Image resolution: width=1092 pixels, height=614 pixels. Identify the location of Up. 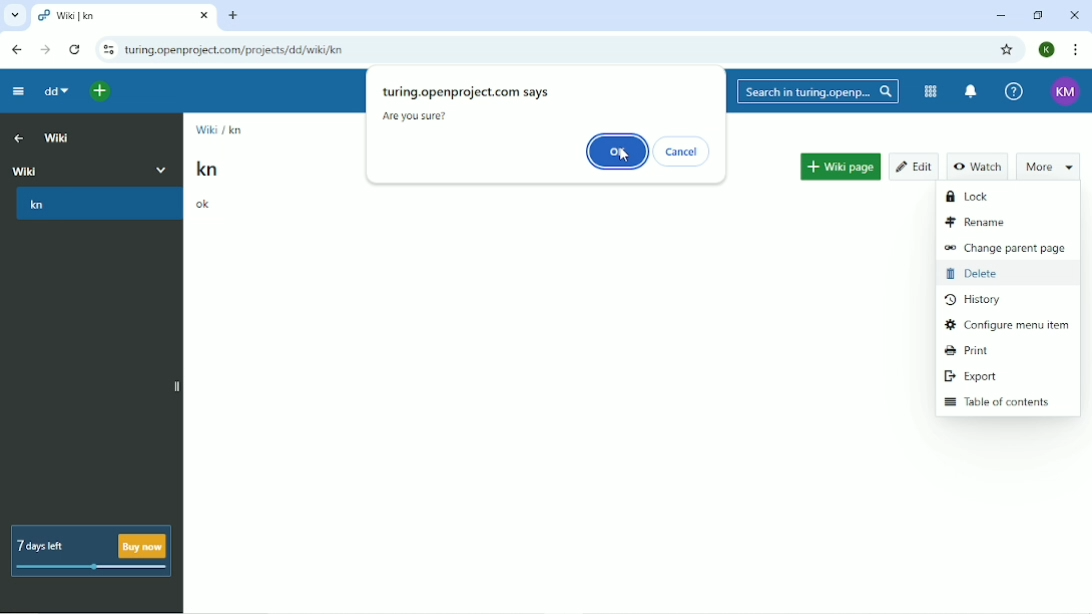
(19, 137).